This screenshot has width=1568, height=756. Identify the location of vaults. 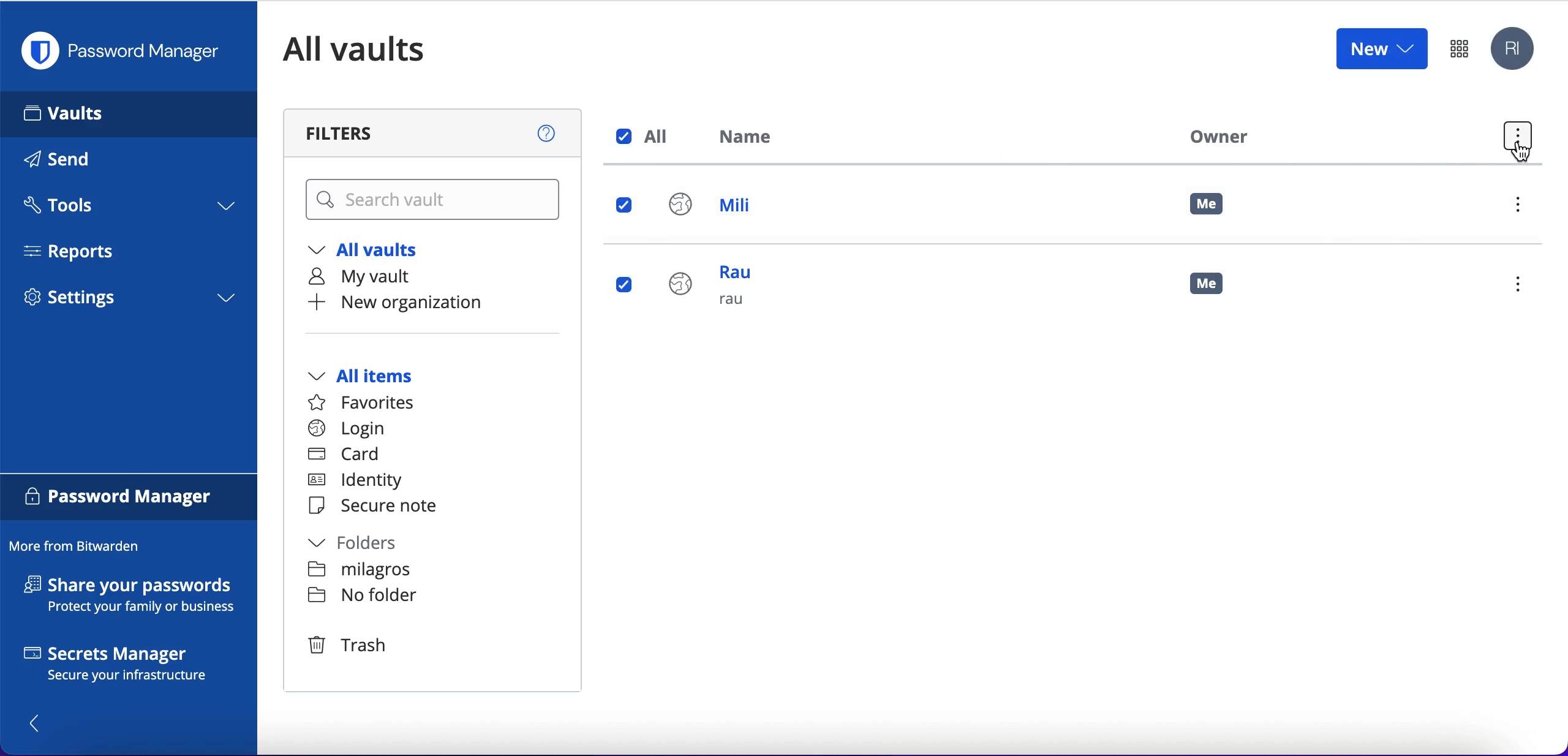
(129, 113).